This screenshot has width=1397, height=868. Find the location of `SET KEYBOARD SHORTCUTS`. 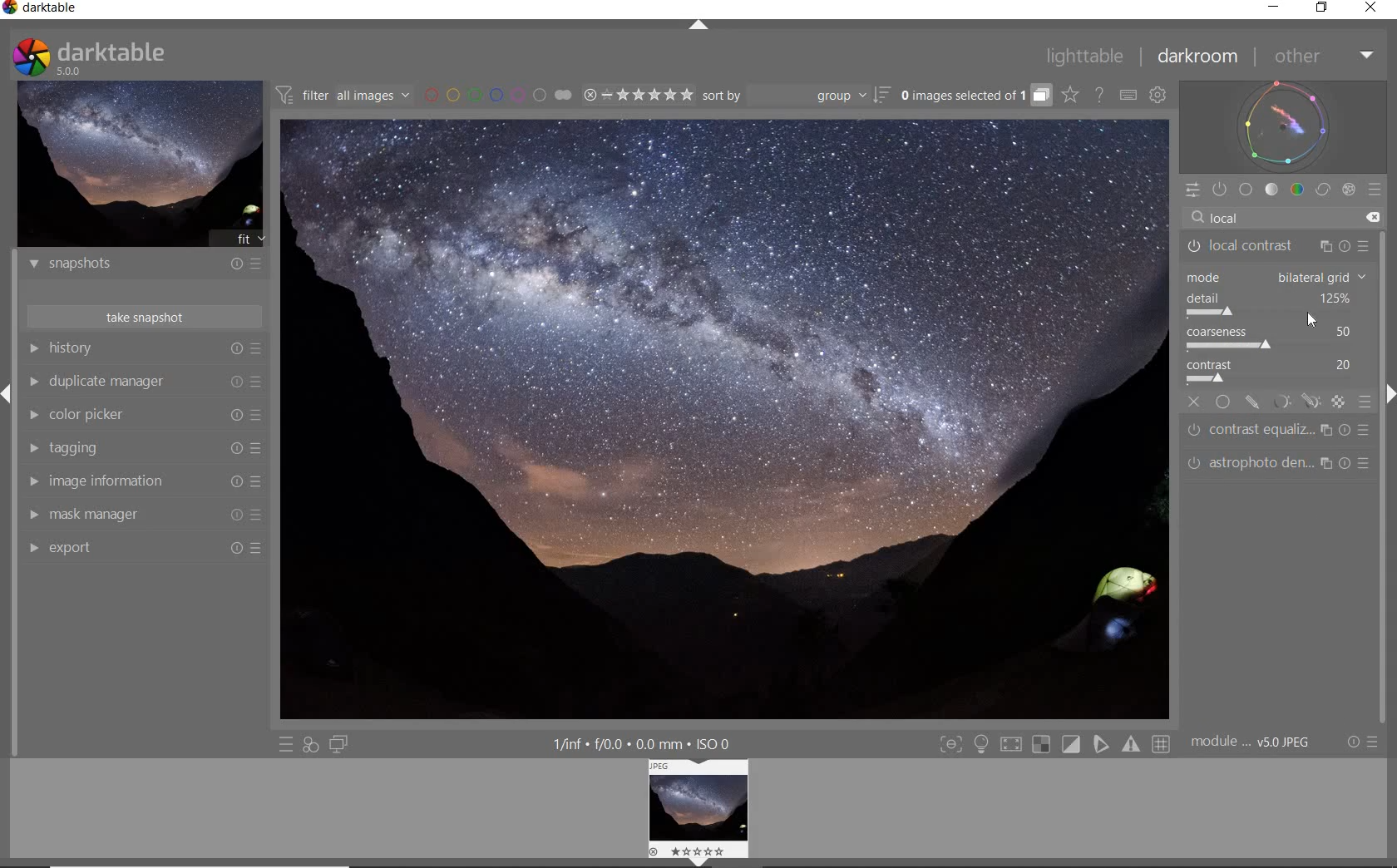

SET KEYBOARD SHORTCUTS is located at coordinates (1128, 96).